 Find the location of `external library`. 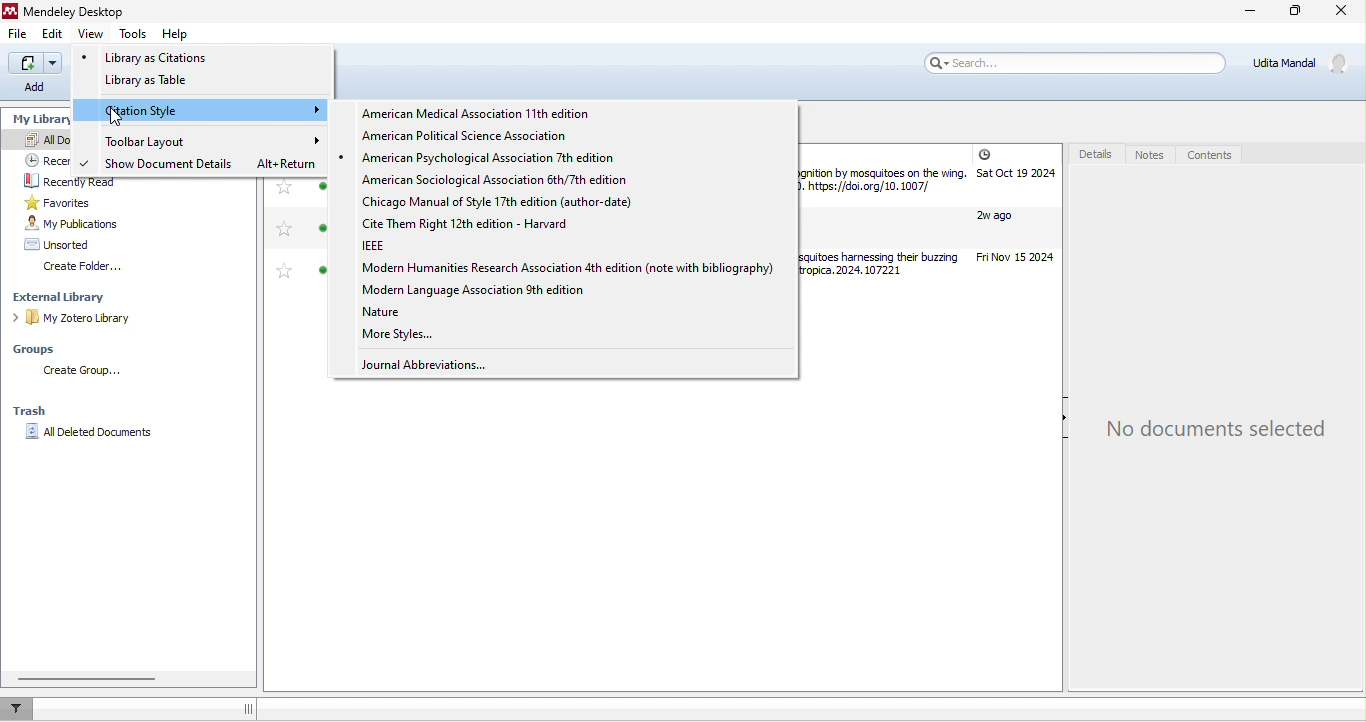

external library is located at coordinates (70, 298).